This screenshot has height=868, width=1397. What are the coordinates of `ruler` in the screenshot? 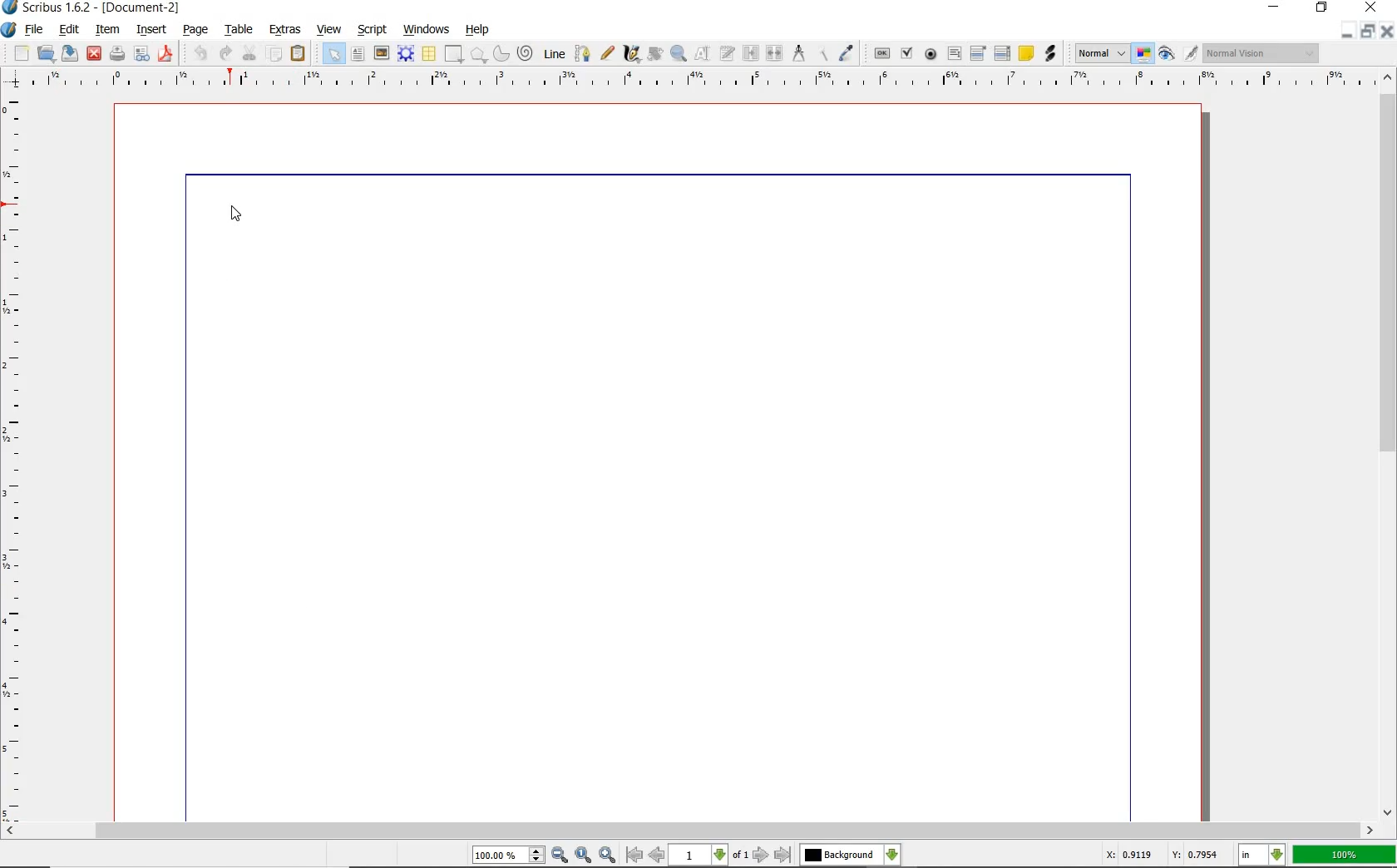 It's located at (15, 458).